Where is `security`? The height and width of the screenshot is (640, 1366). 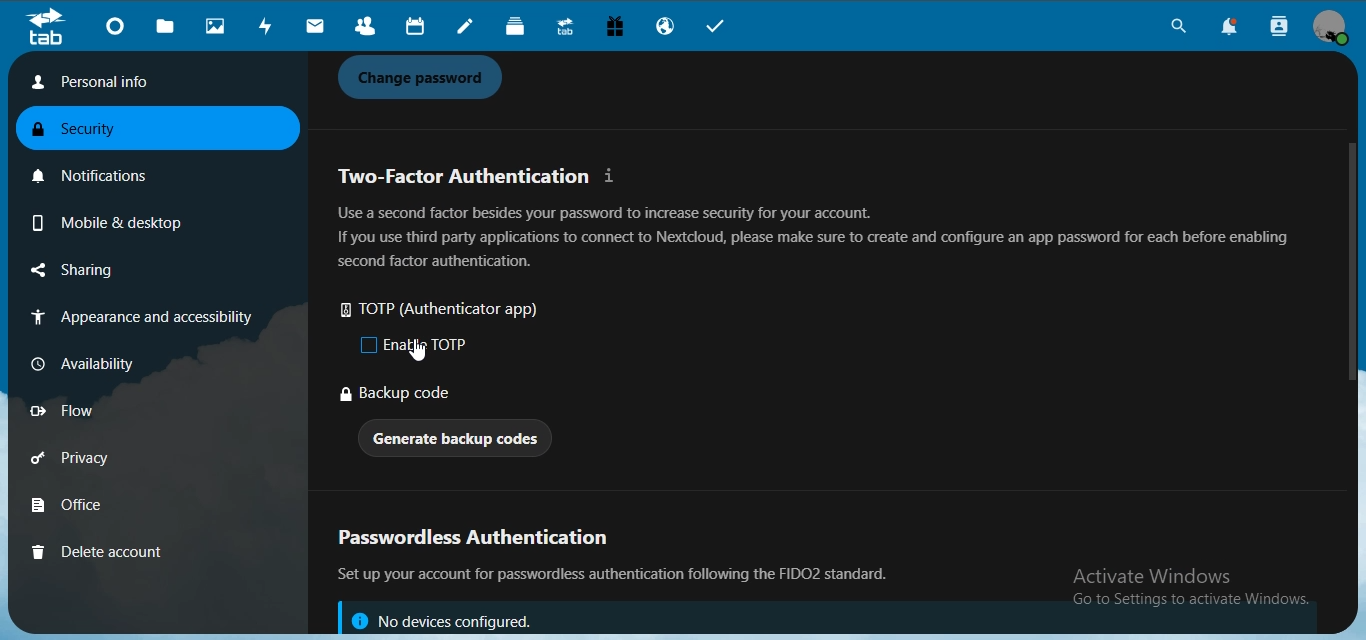
security is located at coordinates (89, 131).